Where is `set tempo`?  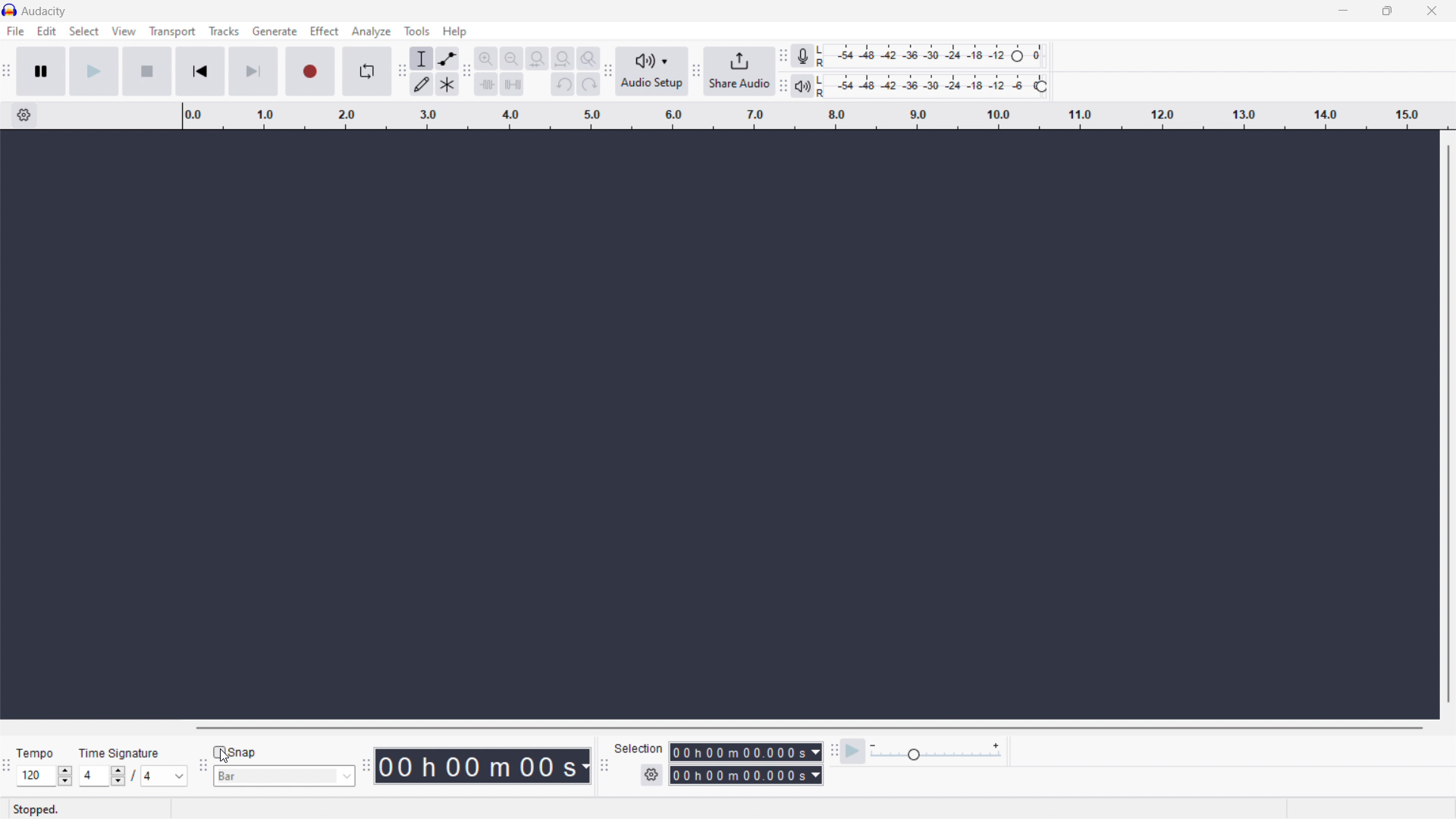 set tempo is located at coordinates (44, 776).